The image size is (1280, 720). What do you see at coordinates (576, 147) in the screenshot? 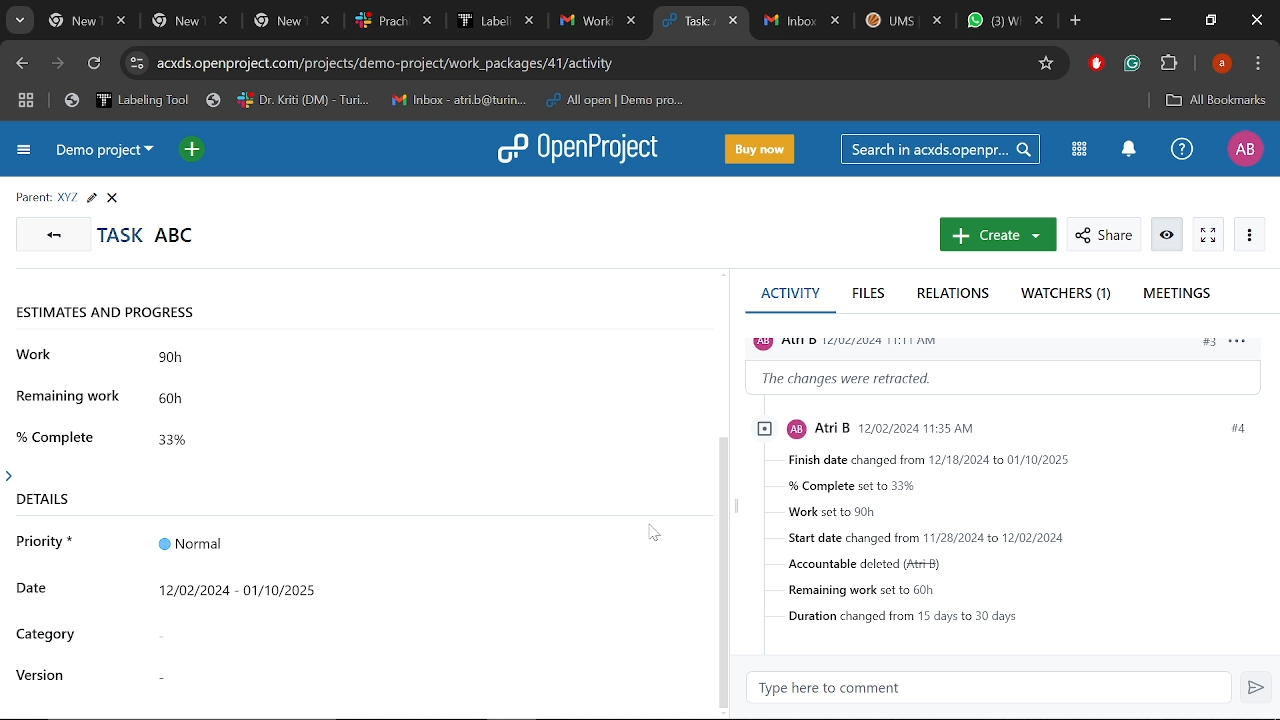
I see `Open project logo` at bounding box center [576, 147].